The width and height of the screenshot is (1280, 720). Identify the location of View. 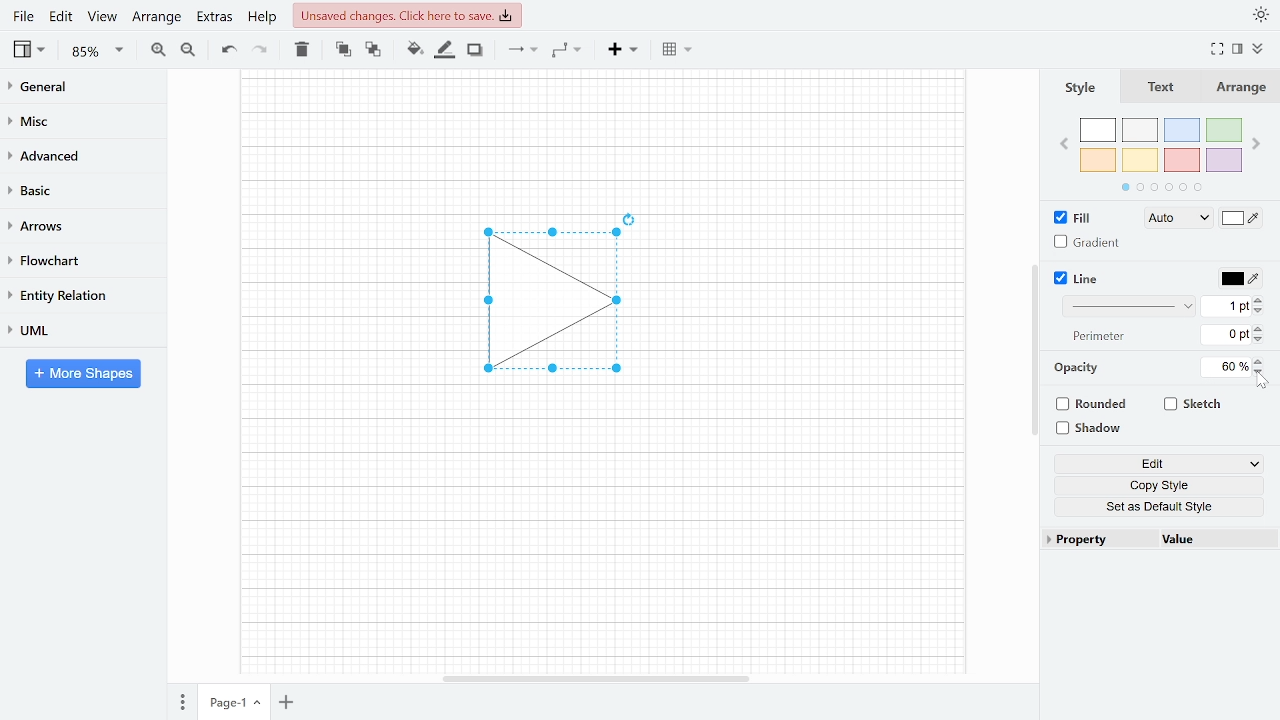
(31, 49).